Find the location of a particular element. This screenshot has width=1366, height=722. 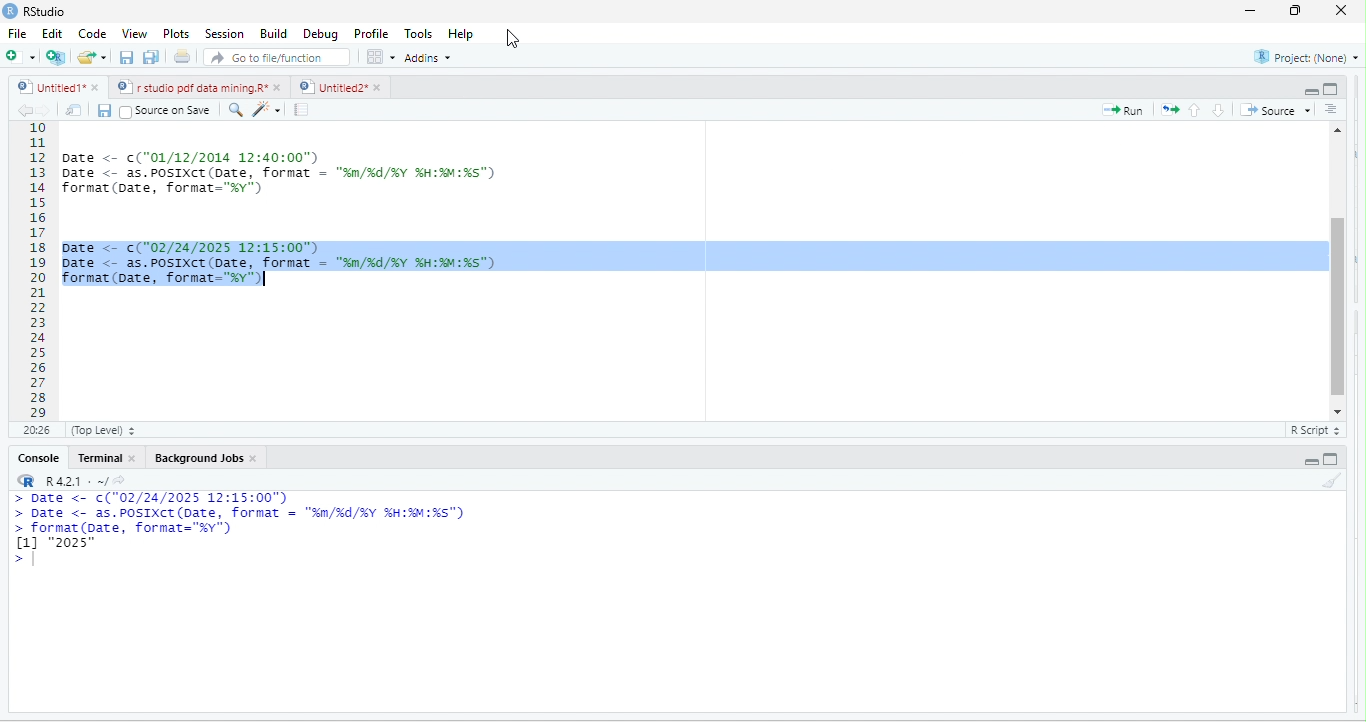

compile report is located at coordinates (304, 109).